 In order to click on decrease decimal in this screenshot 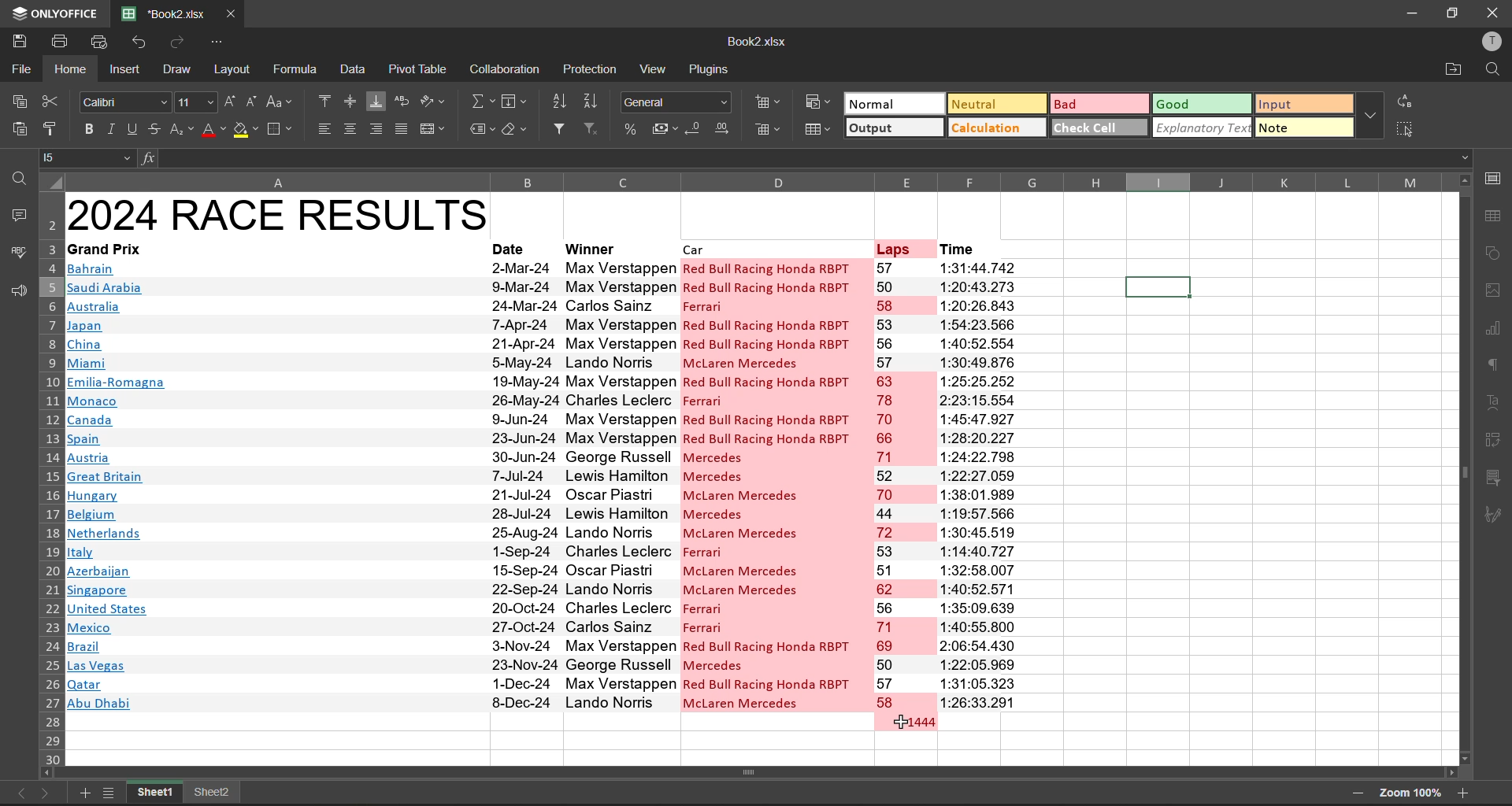, I will do `click(695, 128)`.